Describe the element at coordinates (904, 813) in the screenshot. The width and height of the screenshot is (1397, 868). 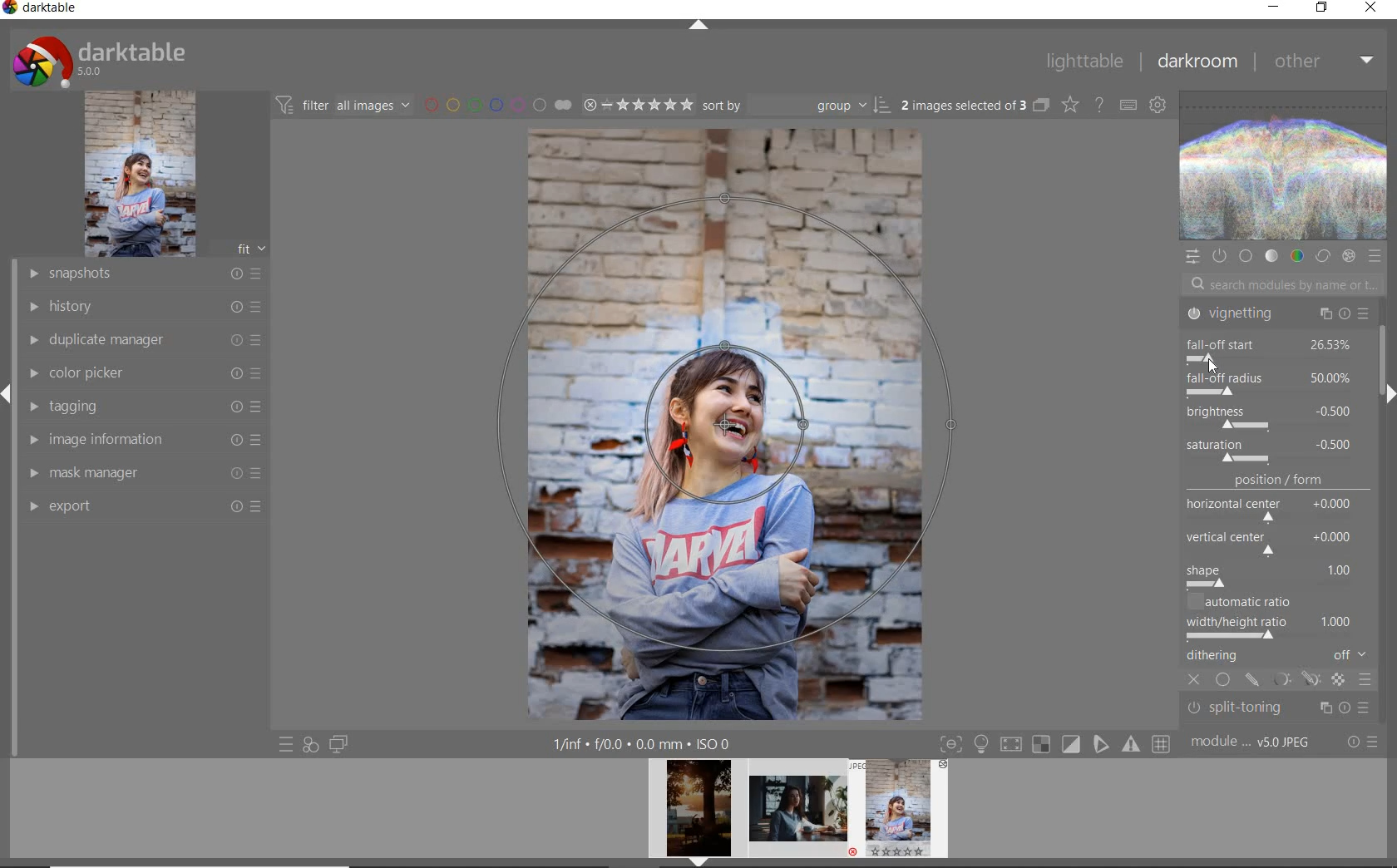
I see `image preview` at that location.